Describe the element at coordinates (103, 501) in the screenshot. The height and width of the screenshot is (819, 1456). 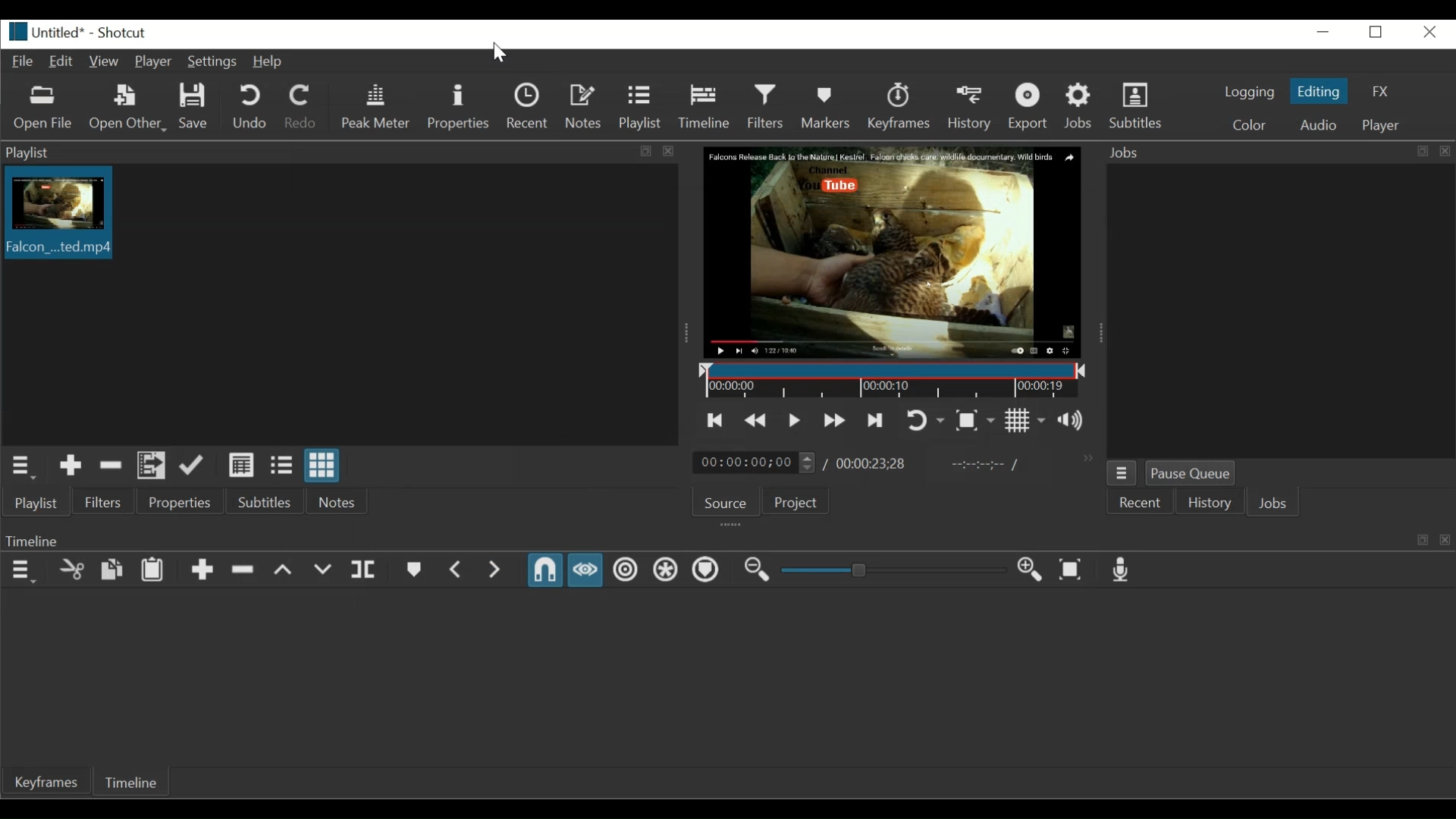
I see `Filters` at that location.